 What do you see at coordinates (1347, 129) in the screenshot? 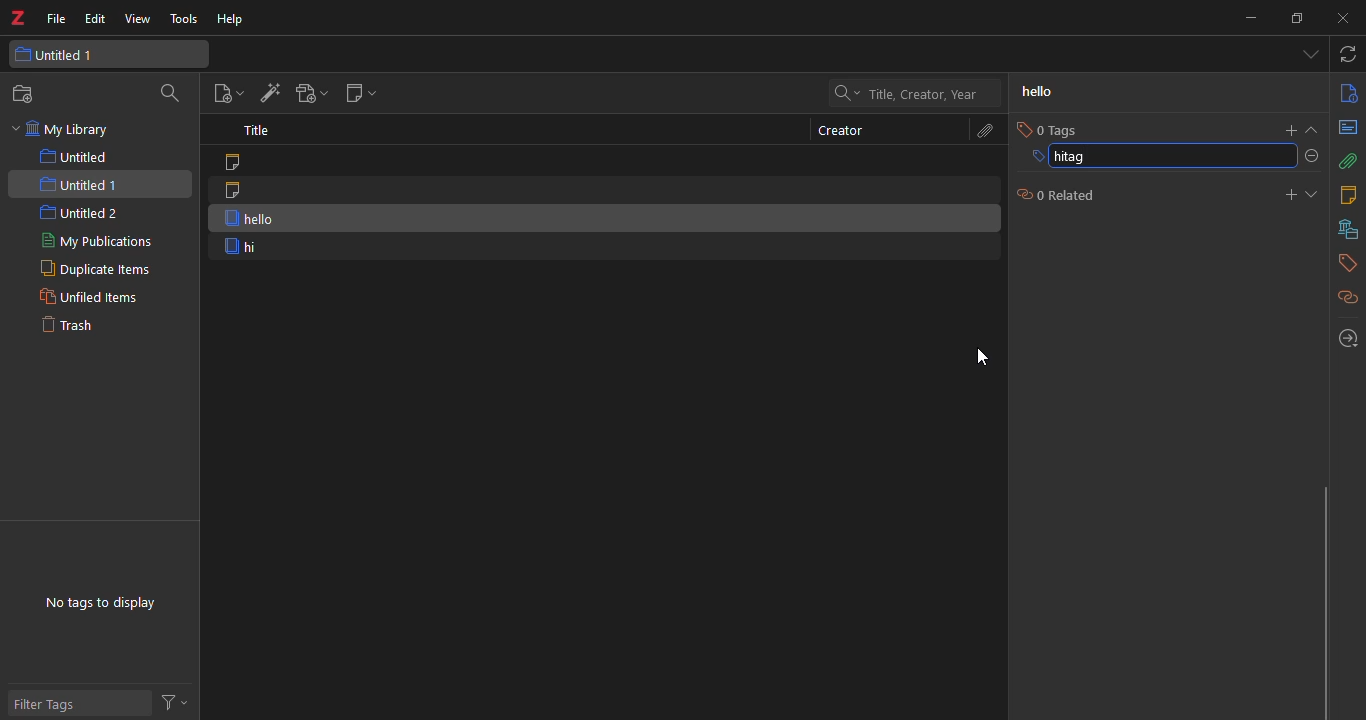
I see `abstract` at bounding box center [1347, 129].